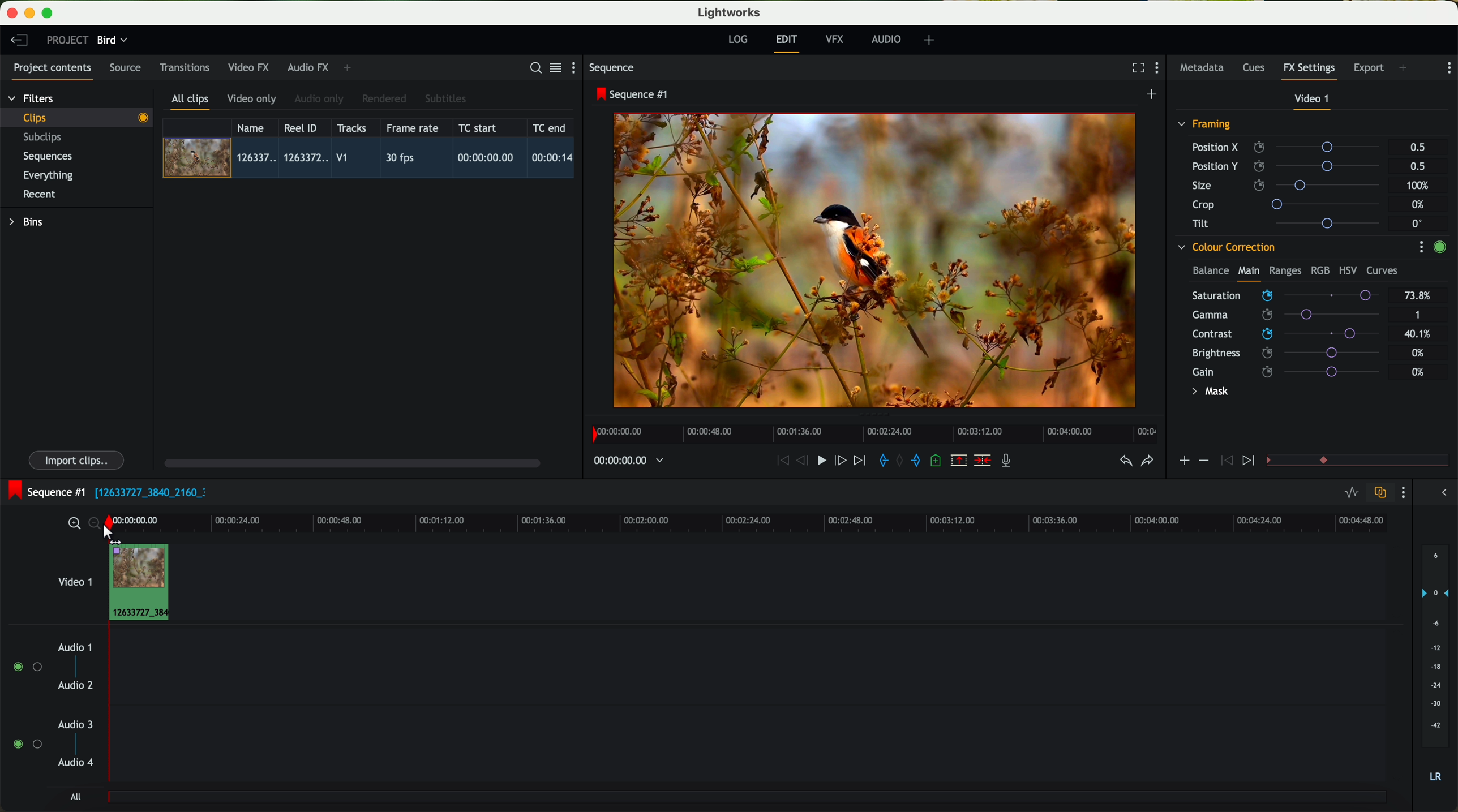 The width and height of the screenshot is (1458, 812). What do you see at coordinates (1418, 223) in the screenshot?
I see `0°` at bounding box center [1418, 223].